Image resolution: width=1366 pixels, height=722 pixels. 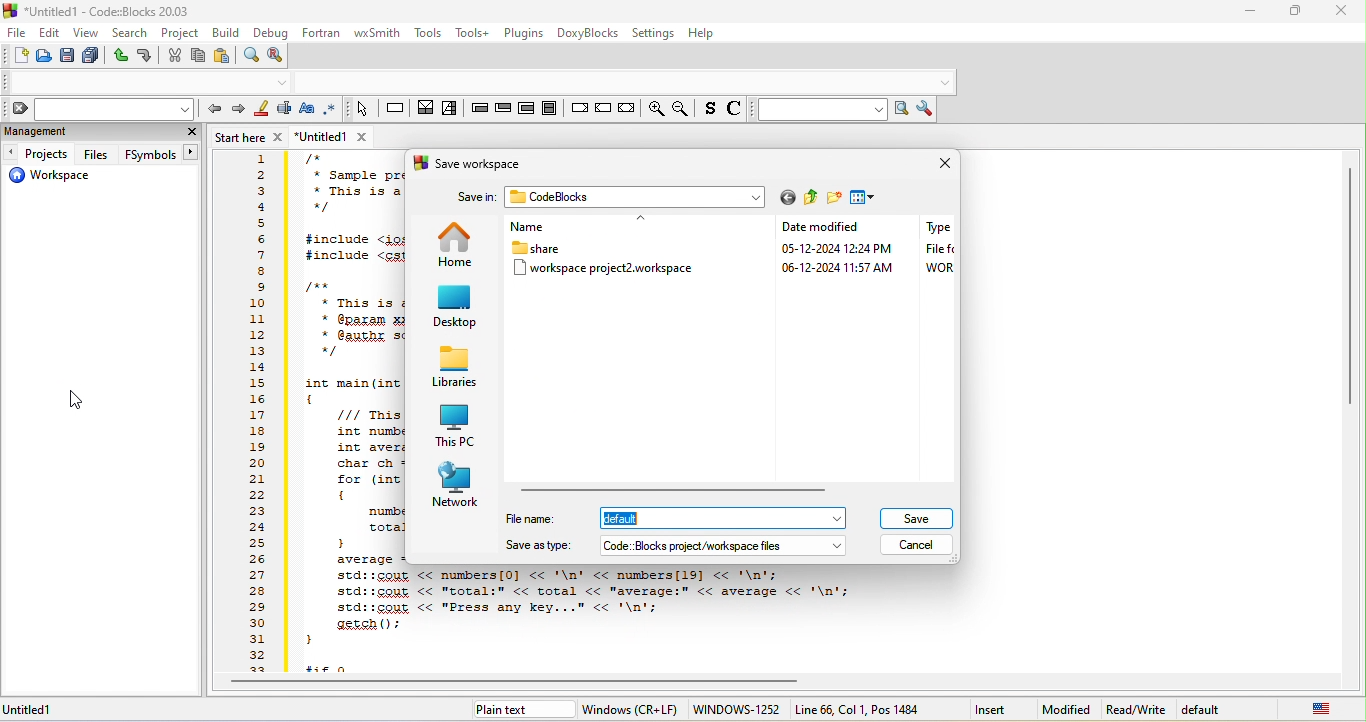 What do you see at coordinates (602, 106) in the screenshot?
I see `continue` at bounding box center [602, 106].